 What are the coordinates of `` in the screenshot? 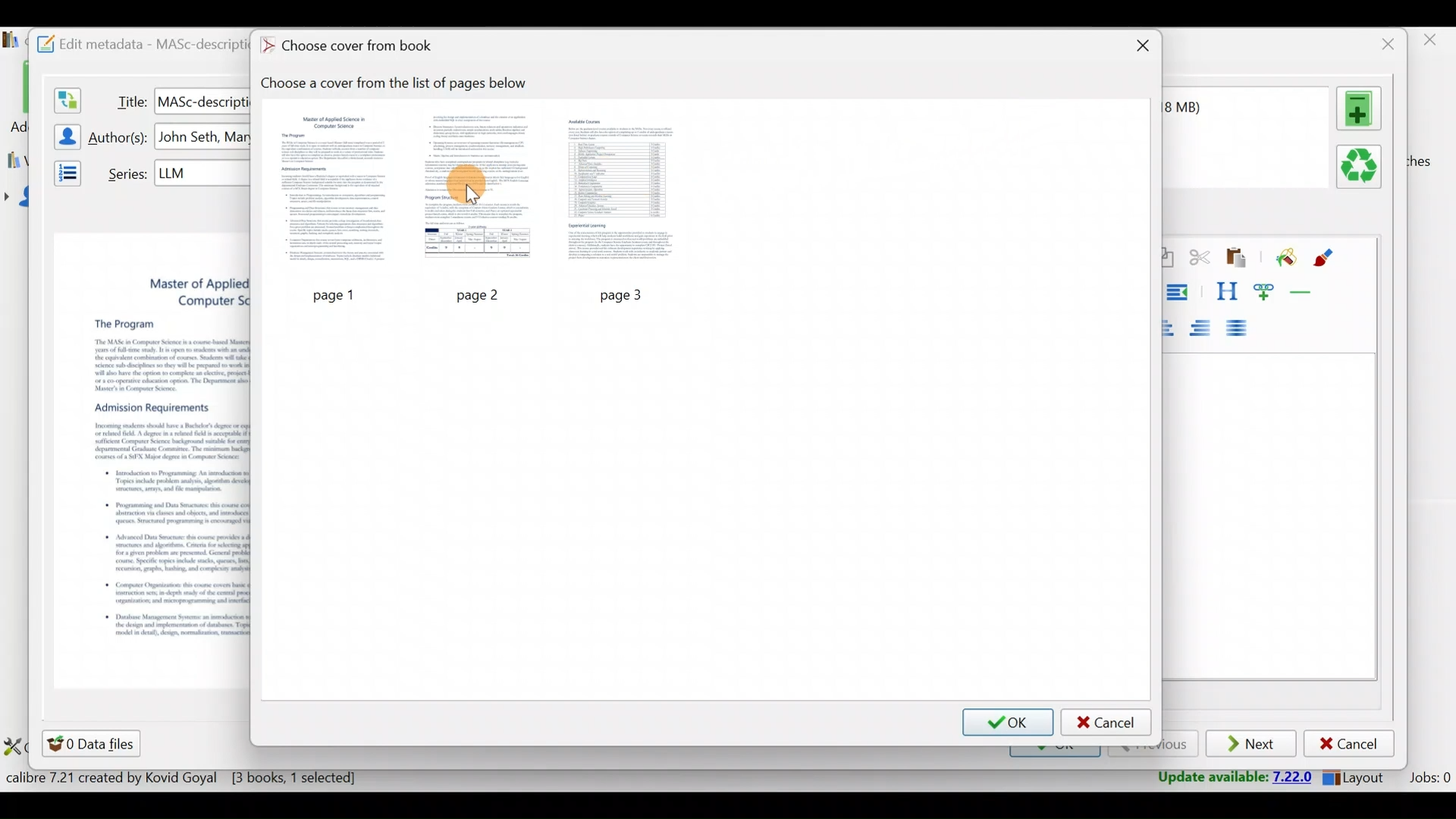 It's located at (202, 100).